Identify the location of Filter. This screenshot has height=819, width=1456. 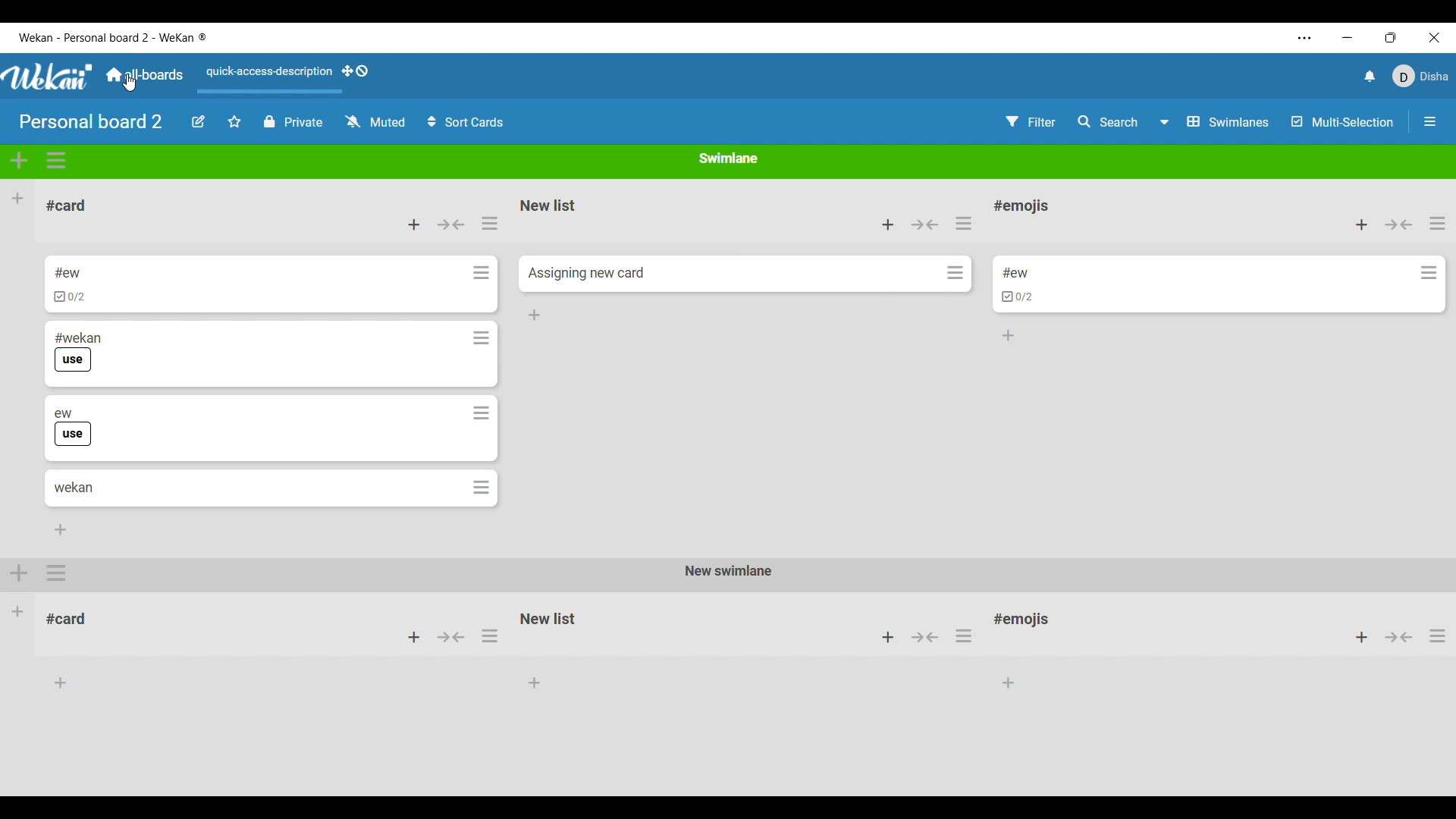
(1031, 121).